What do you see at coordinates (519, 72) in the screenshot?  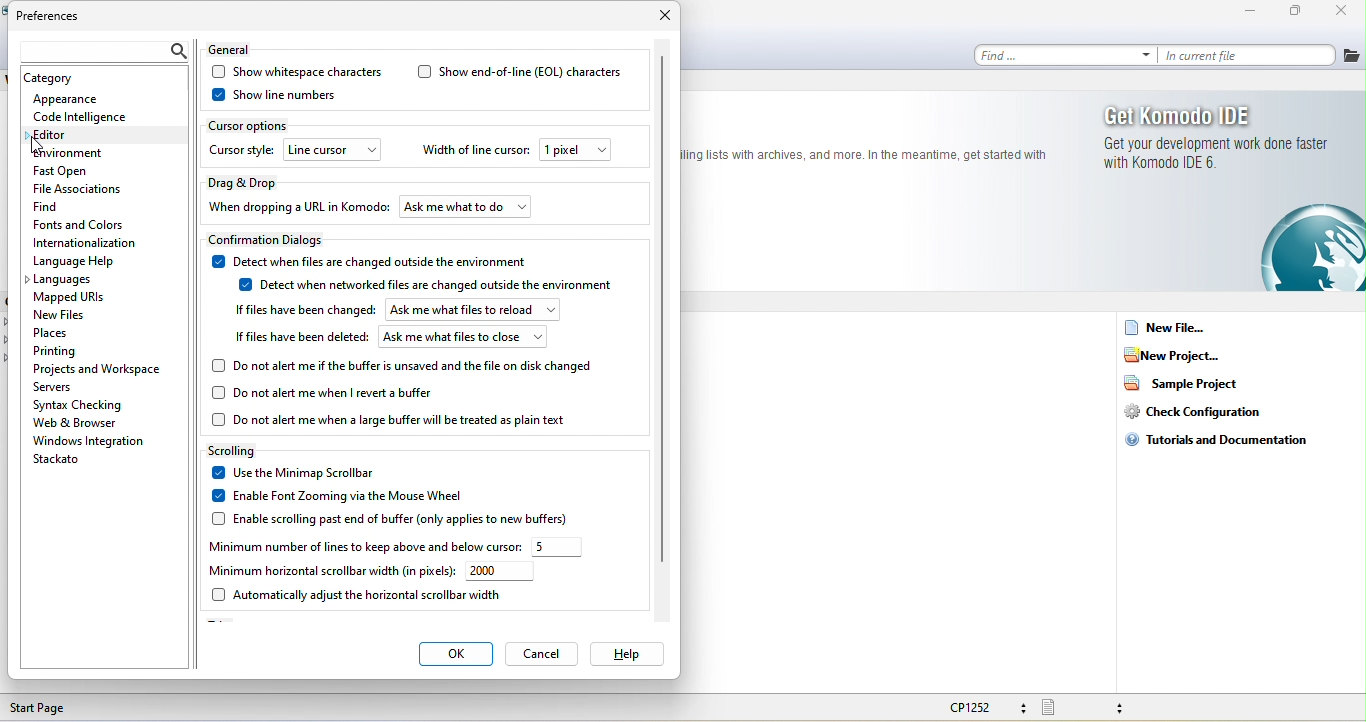 I see `show end of line characters` at bounding box center [519, 72].